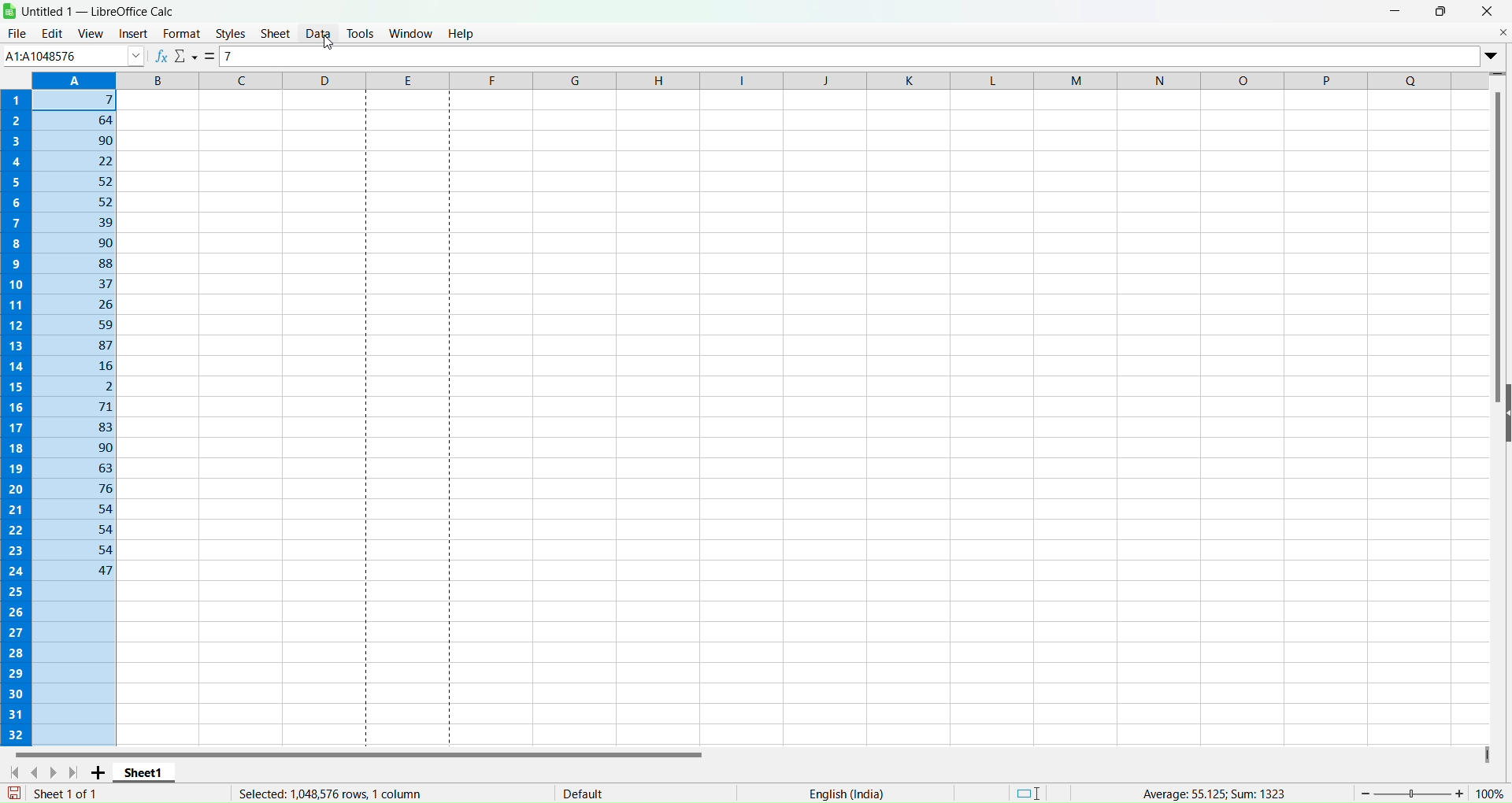  What do you see at coordinates (131, 34) in the screenshot?
I see `Insert` at bounding box center [131, 34].